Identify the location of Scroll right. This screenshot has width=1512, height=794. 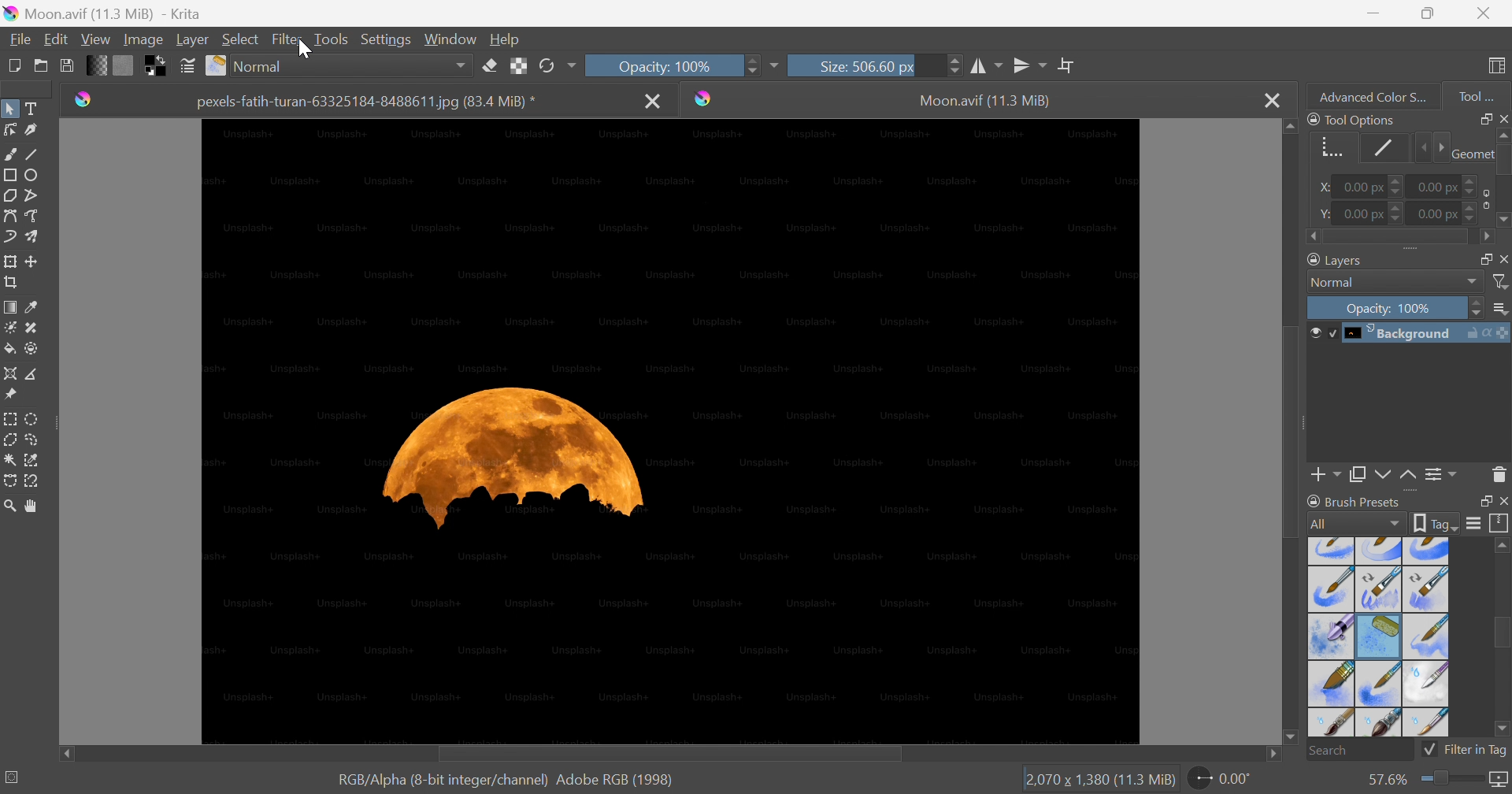
(1276, 755).